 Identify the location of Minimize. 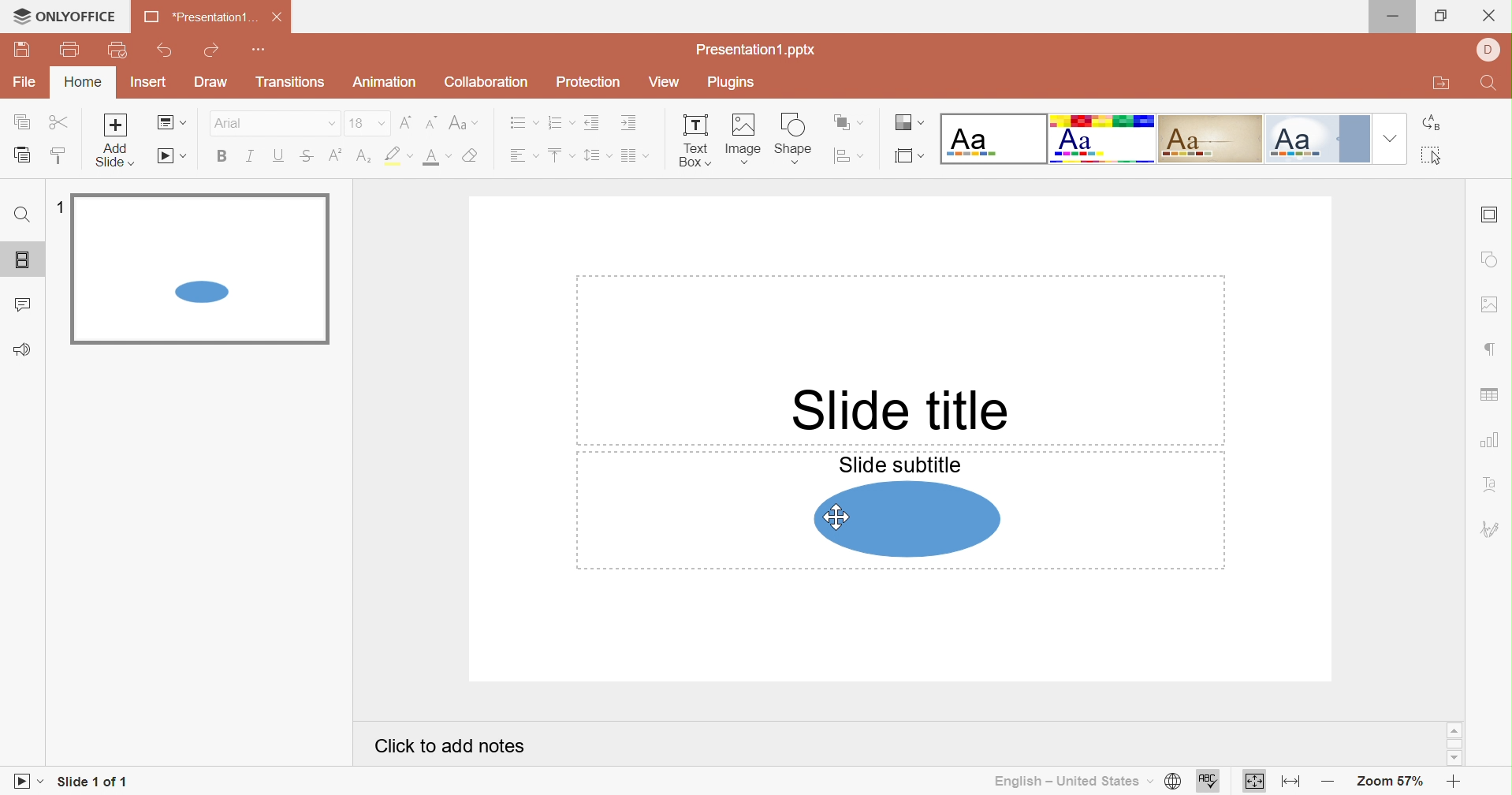
(1398, 17).